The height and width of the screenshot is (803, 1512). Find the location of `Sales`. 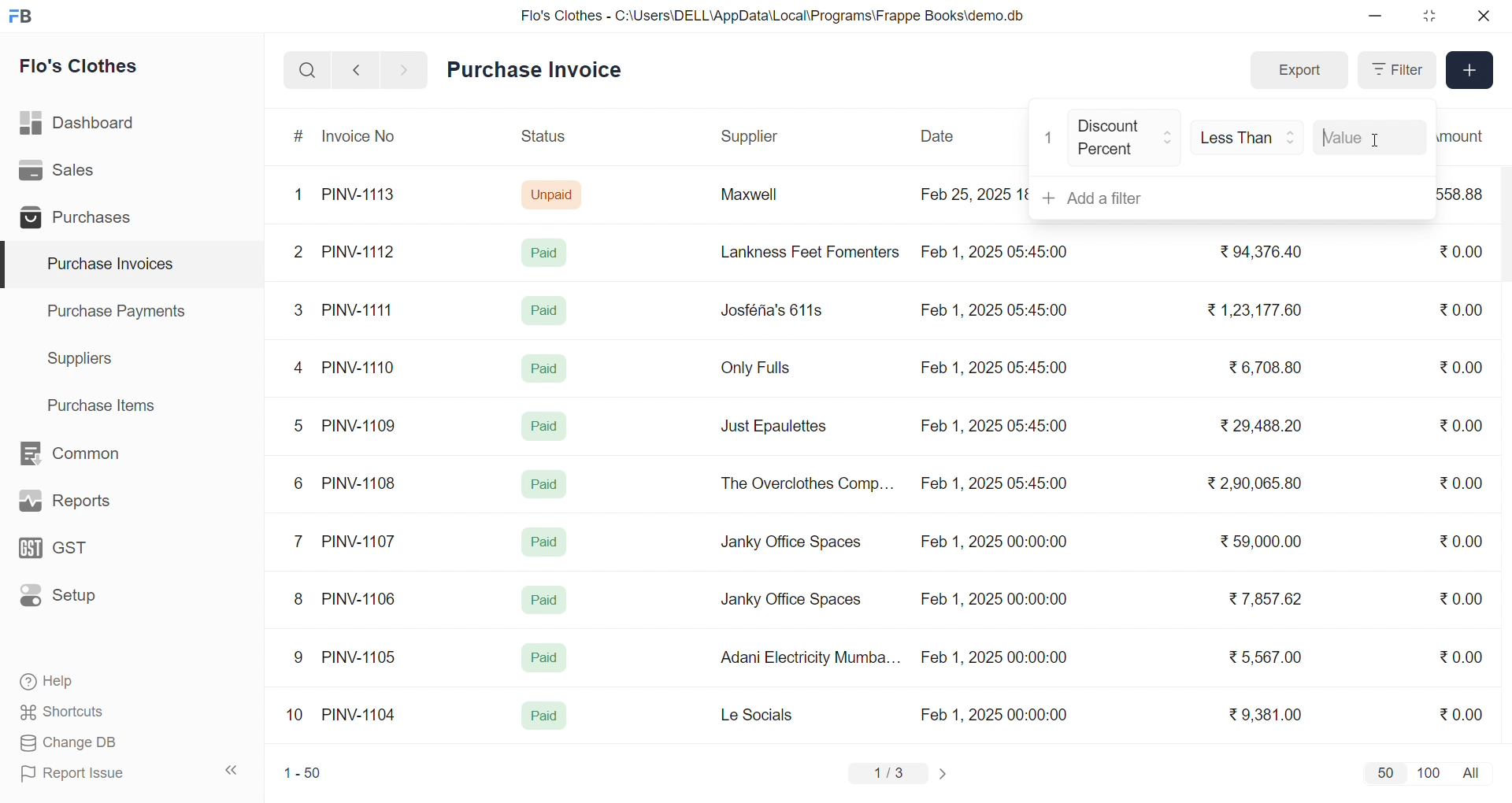

Sales is located at coordinates (81, 173).